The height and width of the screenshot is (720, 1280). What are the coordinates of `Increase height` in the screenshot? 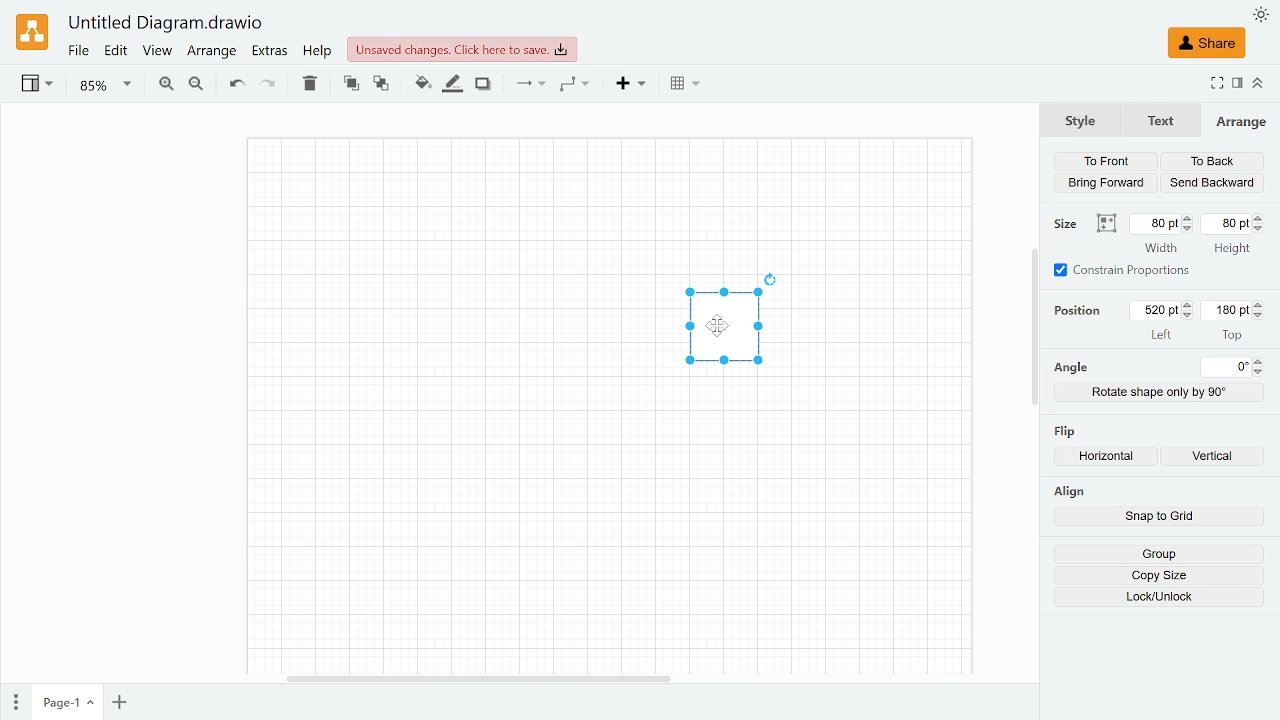 It's located at (1262, 217).